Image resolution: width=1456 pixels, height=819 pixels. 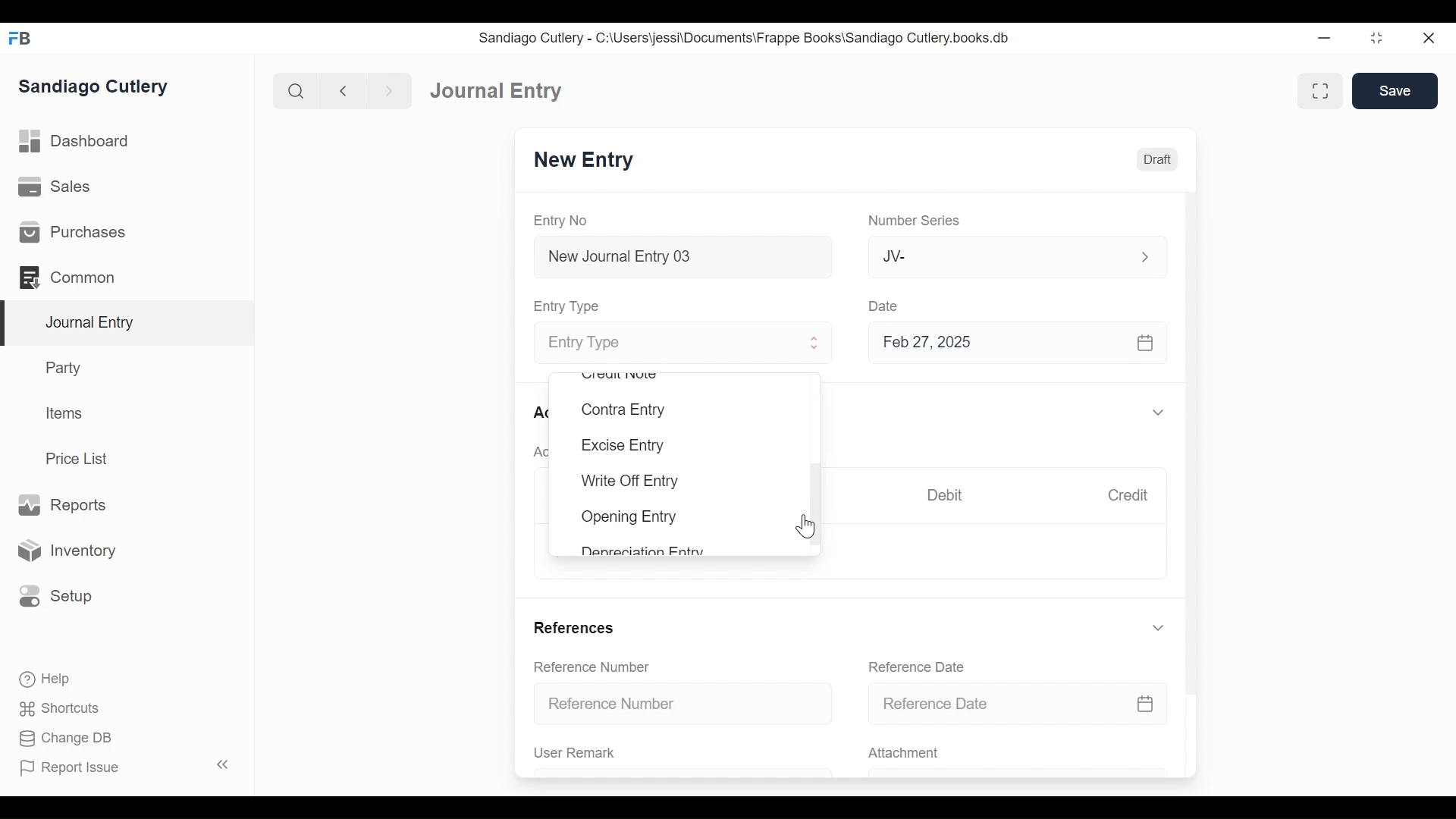 What do you see at coordinates (66, 277) in the screenshot?
I see `Commons` at bounding box center [66, 277].